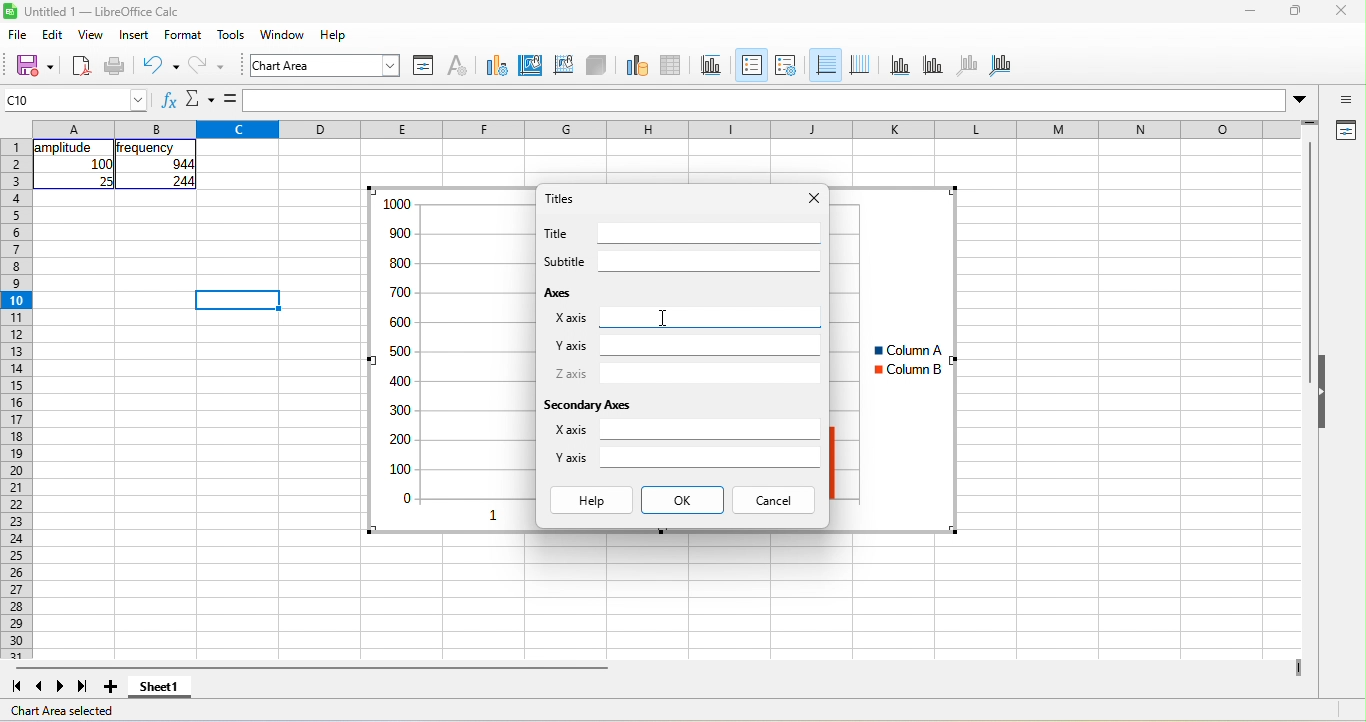  I want to click on z axis, so click(968, 66).